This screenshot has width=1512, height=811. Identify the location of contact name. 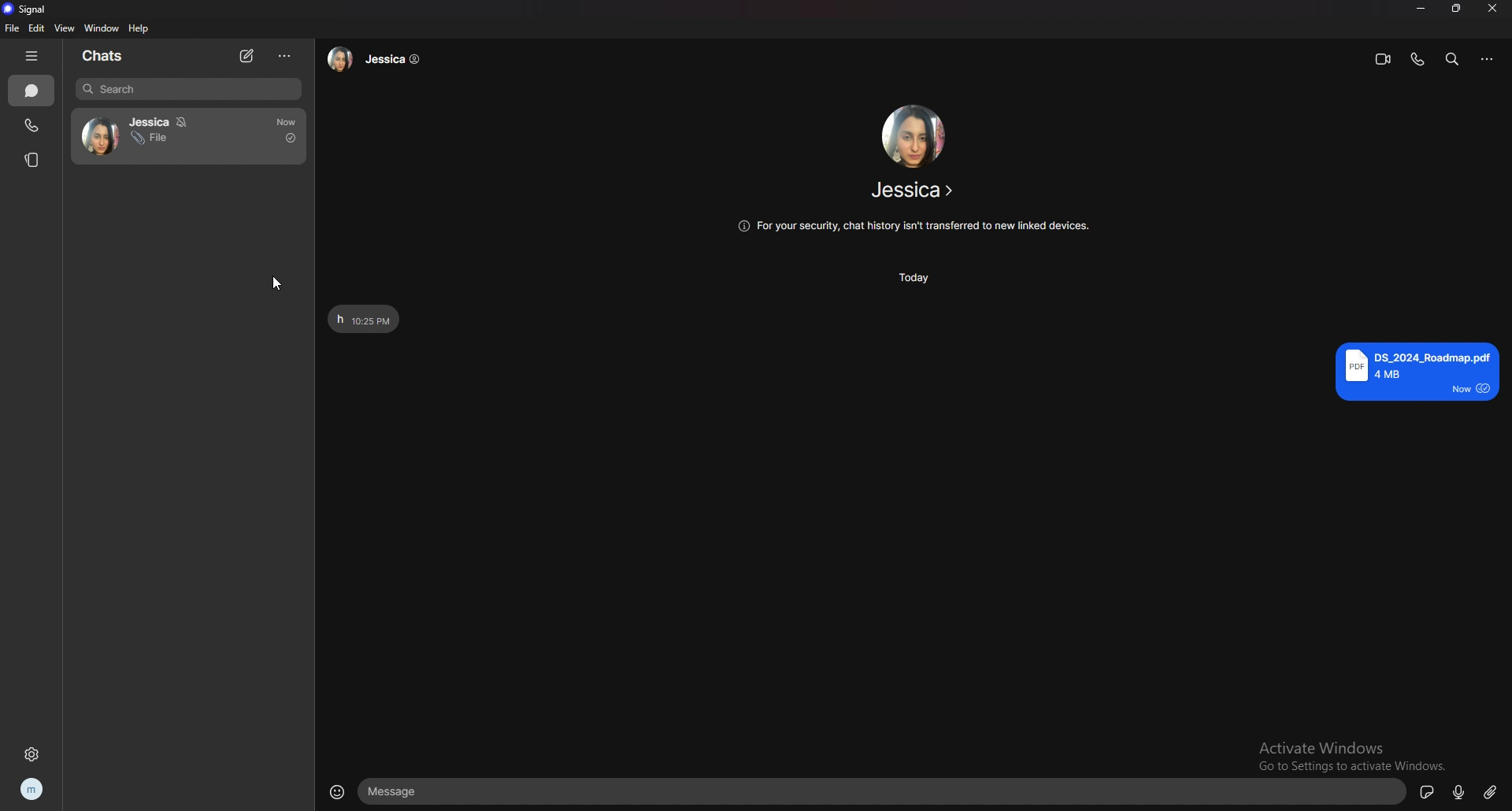
(915, 190).